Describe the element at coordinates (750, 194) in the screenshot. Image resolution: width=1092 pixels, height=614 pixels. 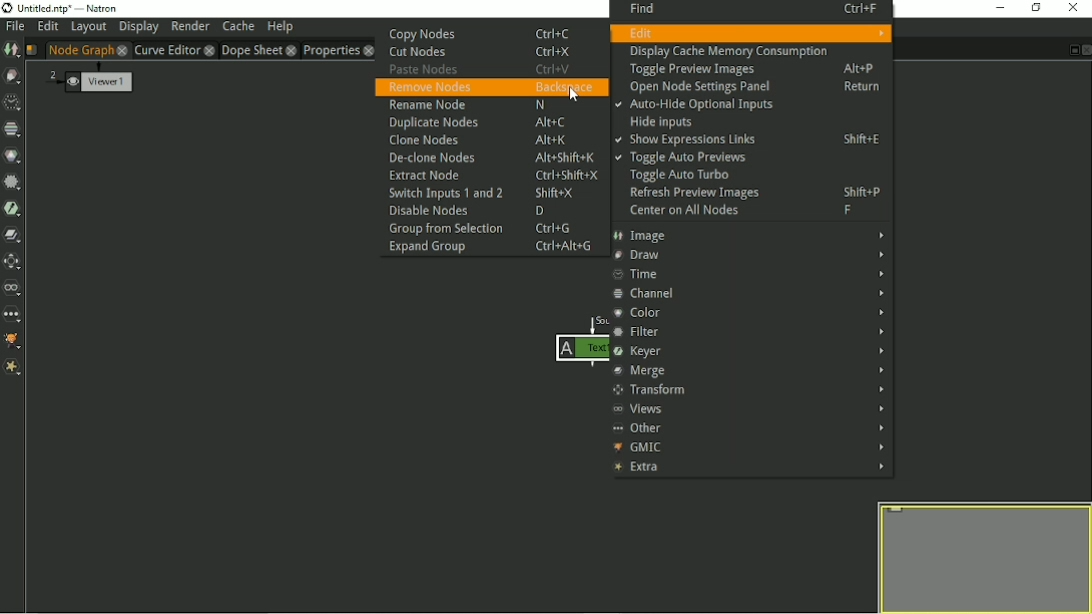
I see `Refresh Preview Images` at that location.